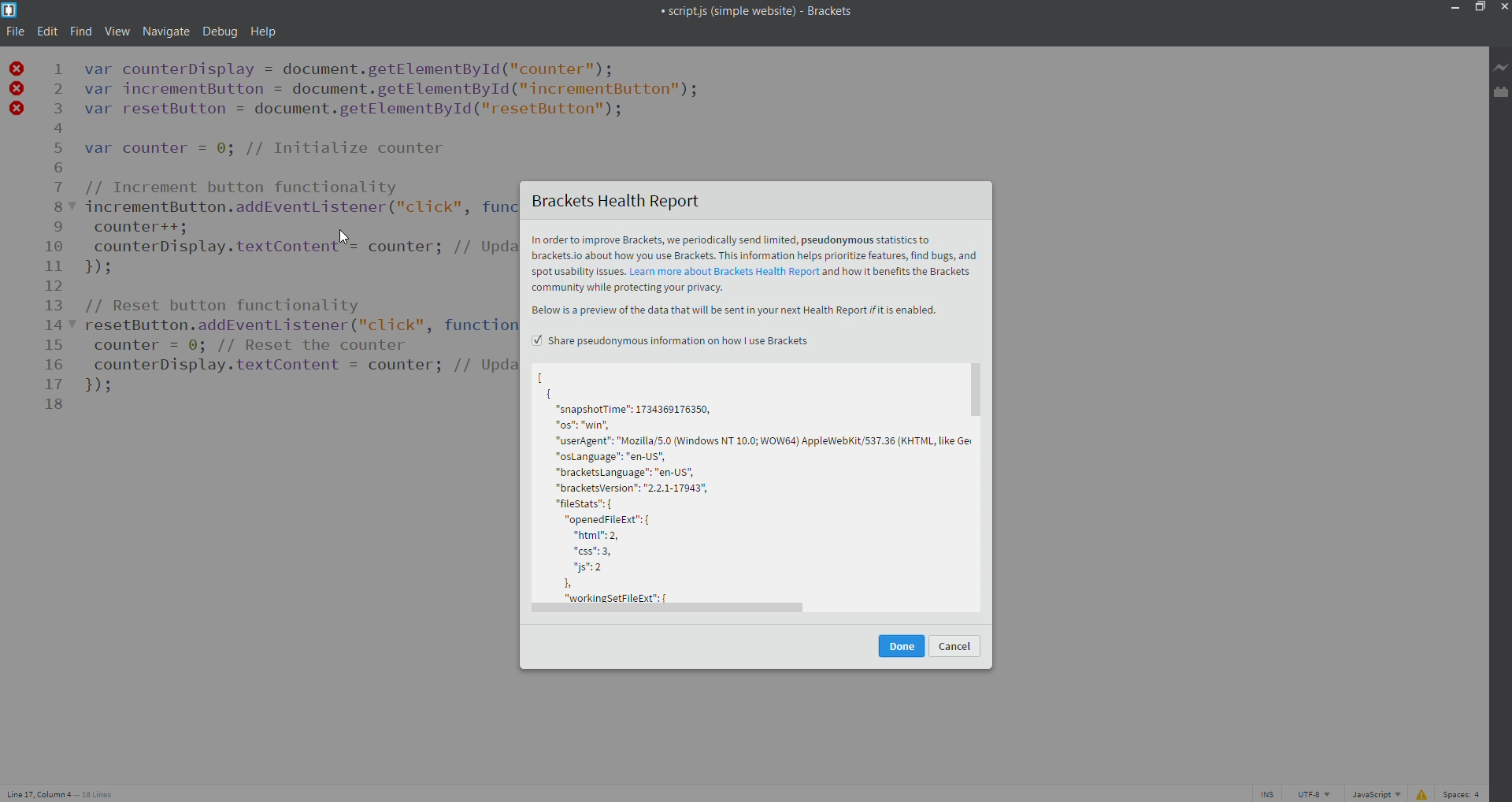 This screenshot has width=1512, height=802. What do you see at coordinates (46, 33) in the screenshot?
I see `edit` at bounding box center [46, 33].